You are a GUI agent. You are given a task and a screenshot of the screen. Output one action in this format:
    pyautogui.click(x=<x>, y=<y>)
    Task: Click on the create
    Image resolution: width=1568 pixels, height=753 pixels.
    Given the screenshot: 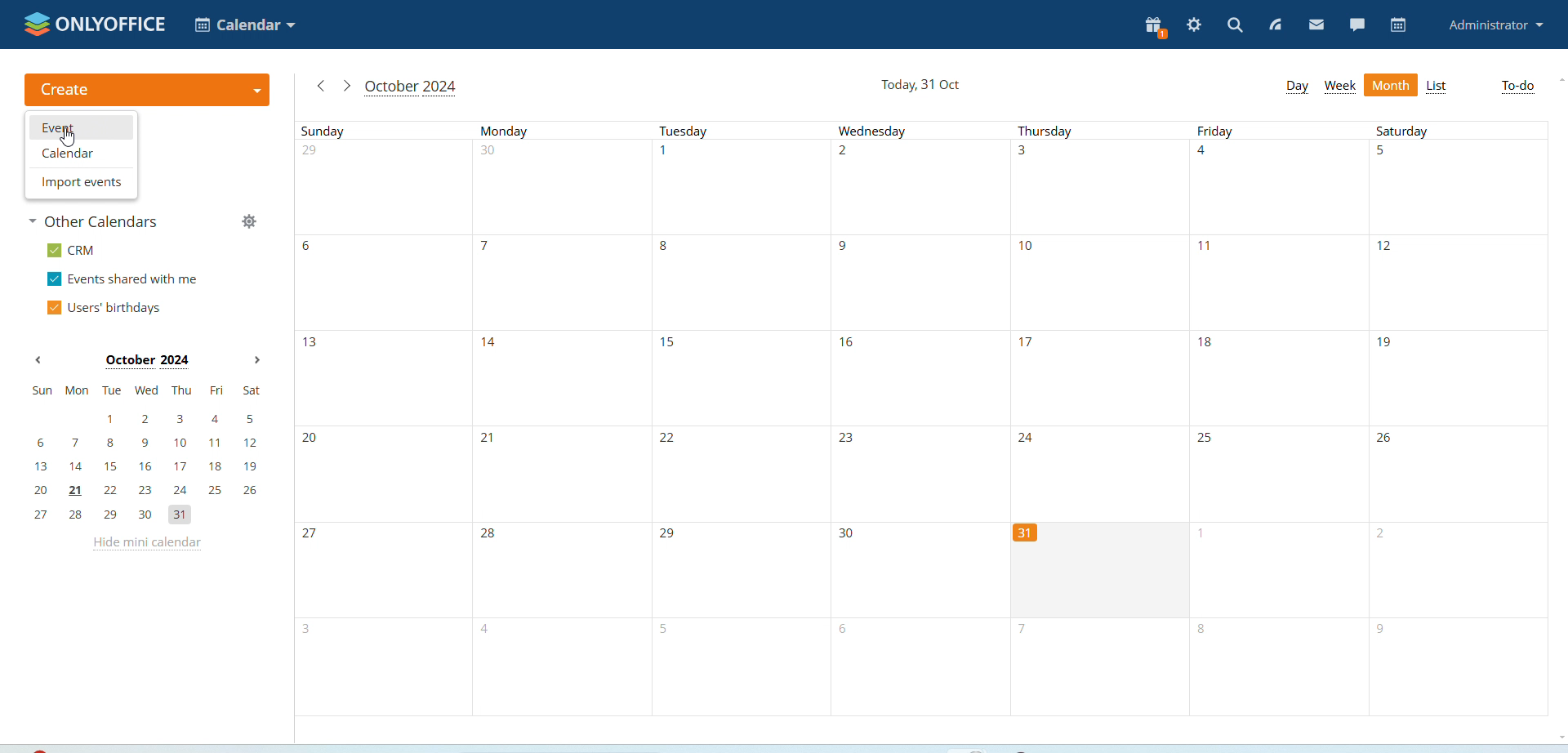 What is the action you would take?
    pyautogui.click(x=147, y=90)
    